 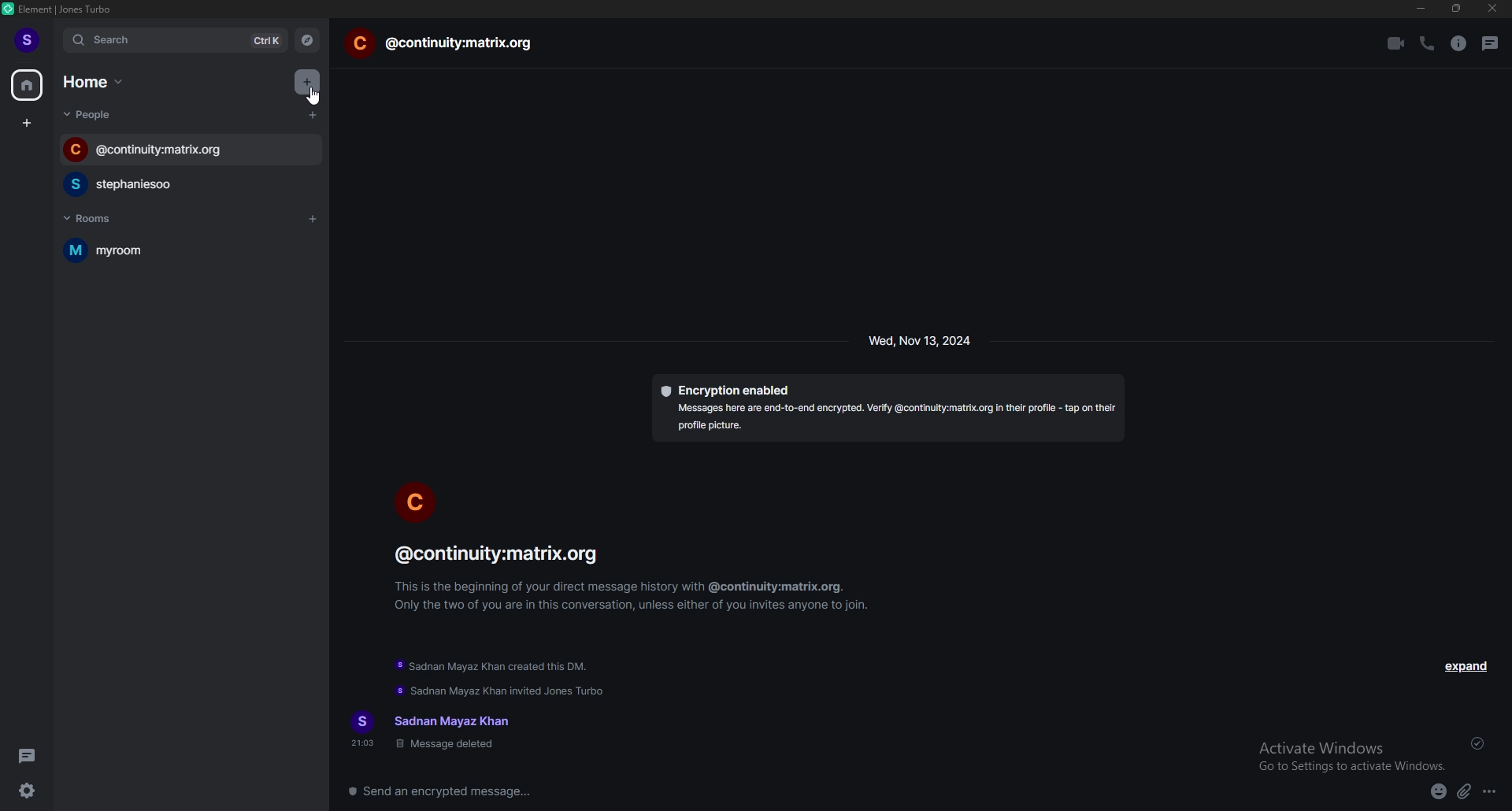 What do you see at coordinates (1421, 9) in the screenshot?
I see `minimize` at bounding box center [1421, 9].